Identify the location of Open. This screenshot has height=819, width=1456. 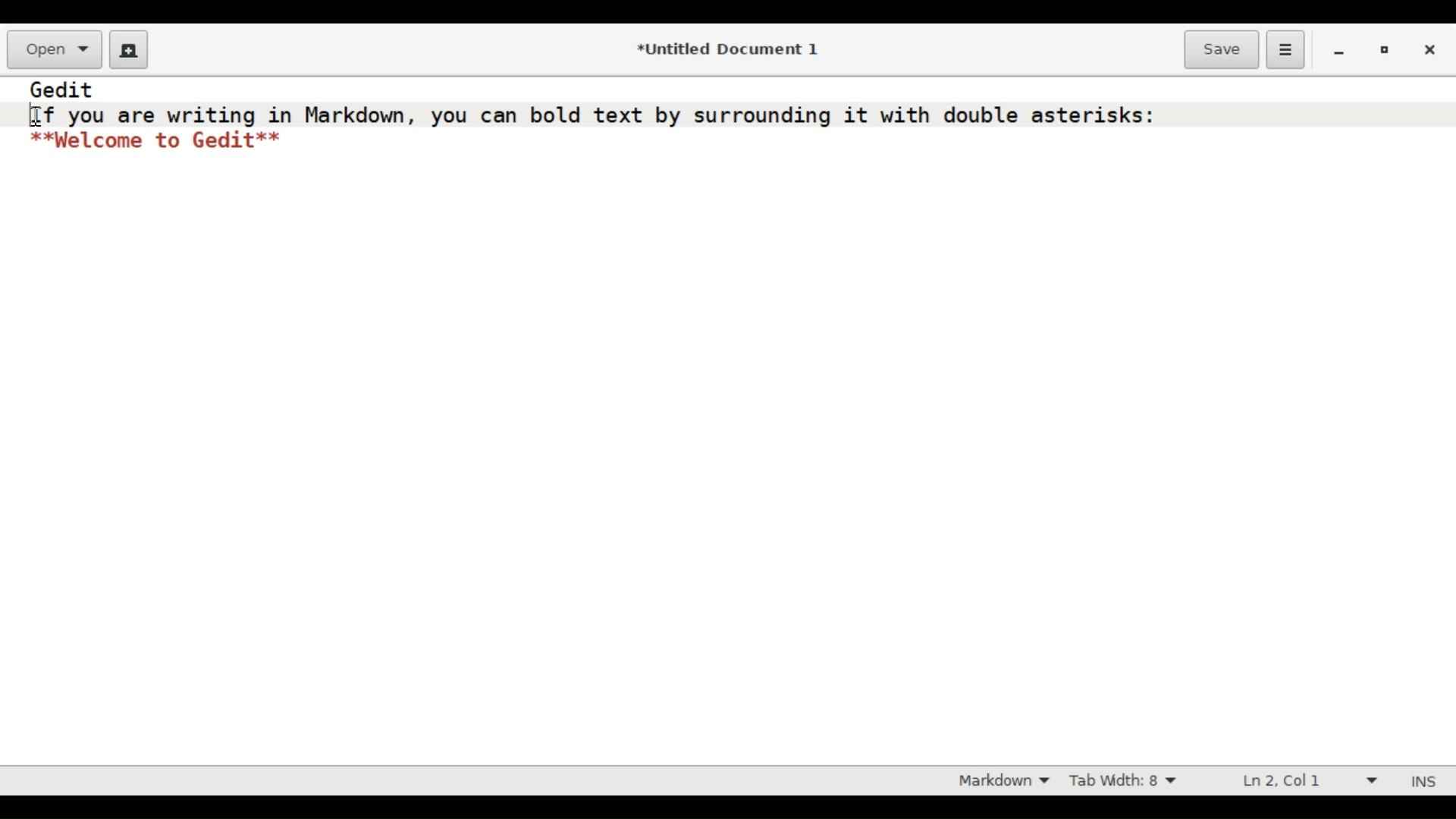
(54, 49).